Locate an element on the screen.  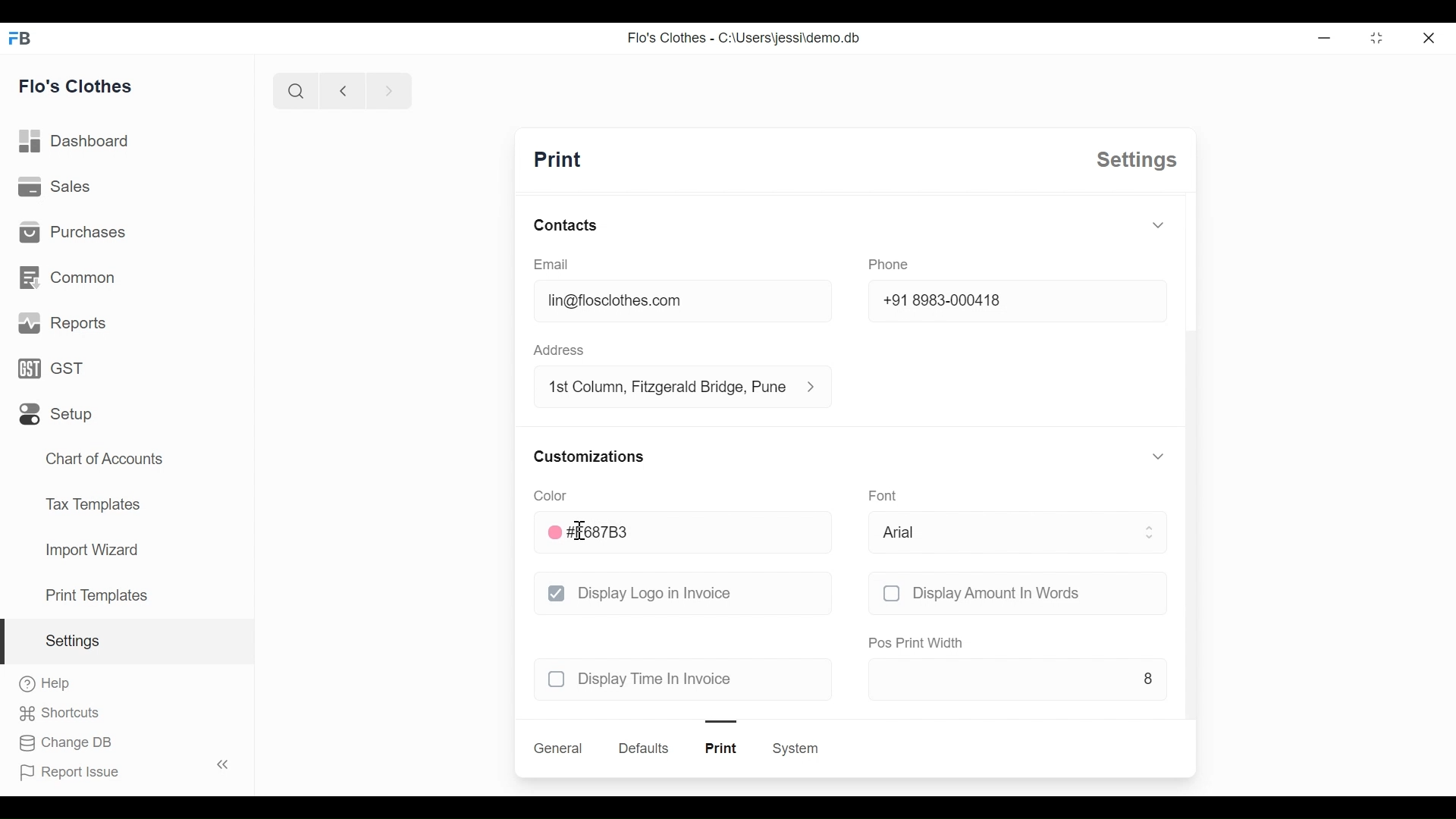
dashboard is located at coordinates (75, 141).